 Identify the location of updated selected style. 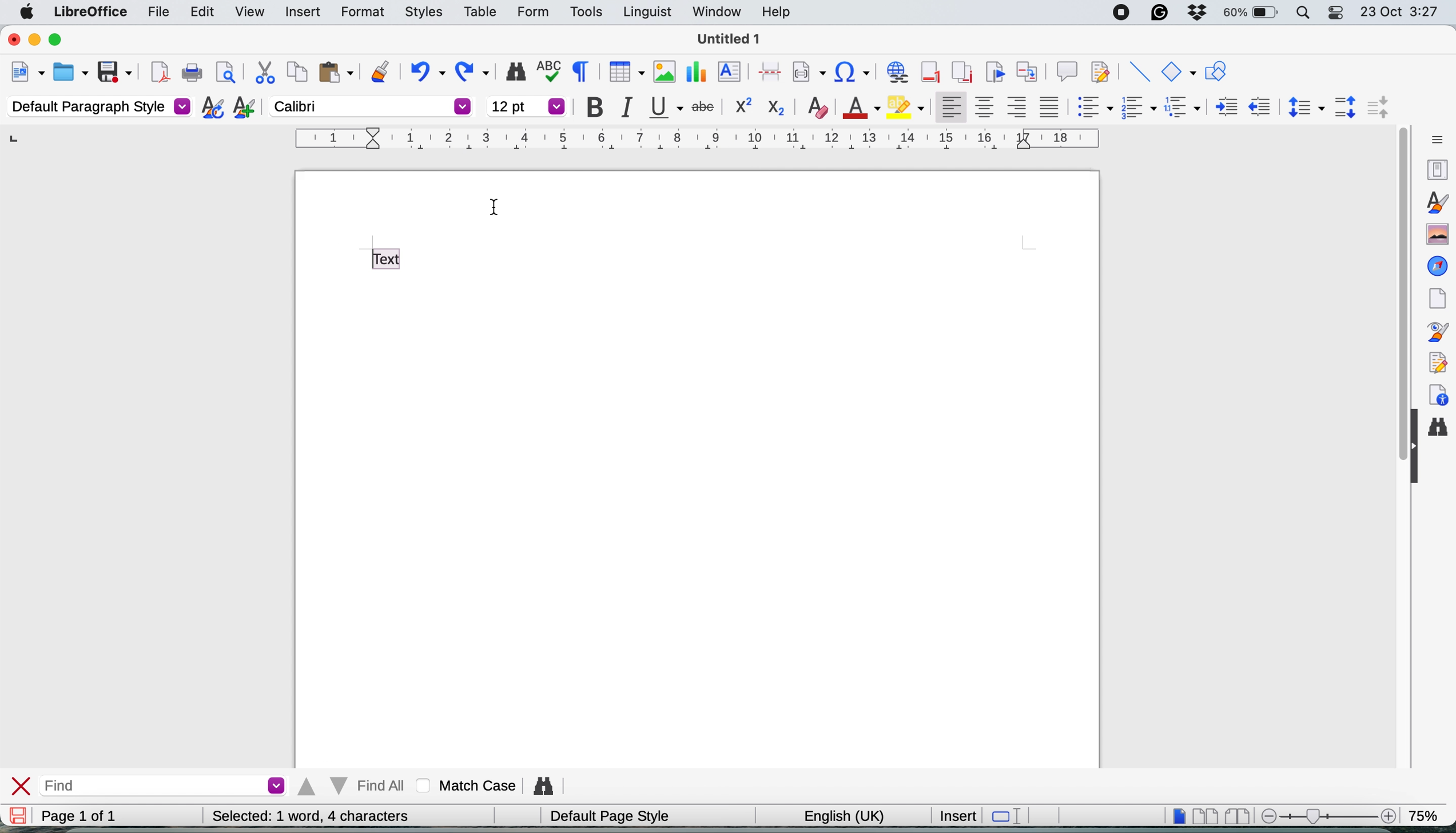
(209, 108).